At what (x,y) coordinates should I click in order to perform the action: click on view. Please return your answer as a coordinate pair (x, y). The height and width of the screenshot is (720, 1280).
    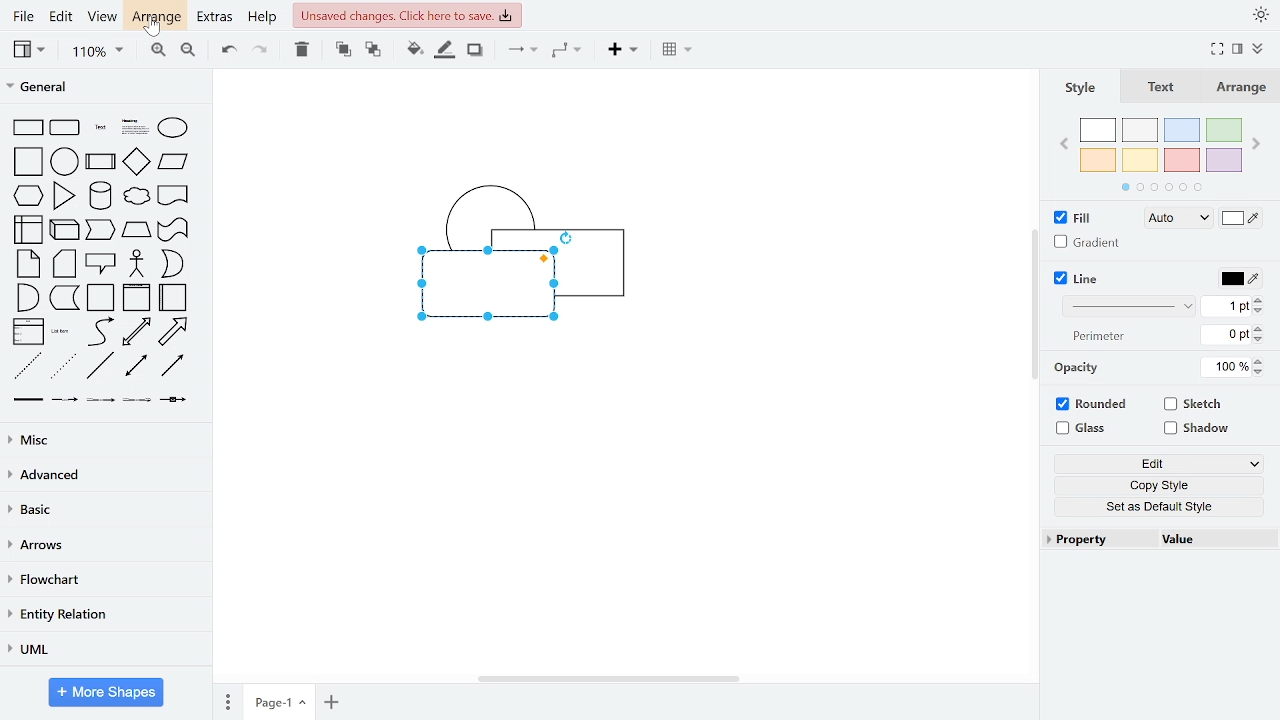
    Looking at the image, I should click on (36, 52).